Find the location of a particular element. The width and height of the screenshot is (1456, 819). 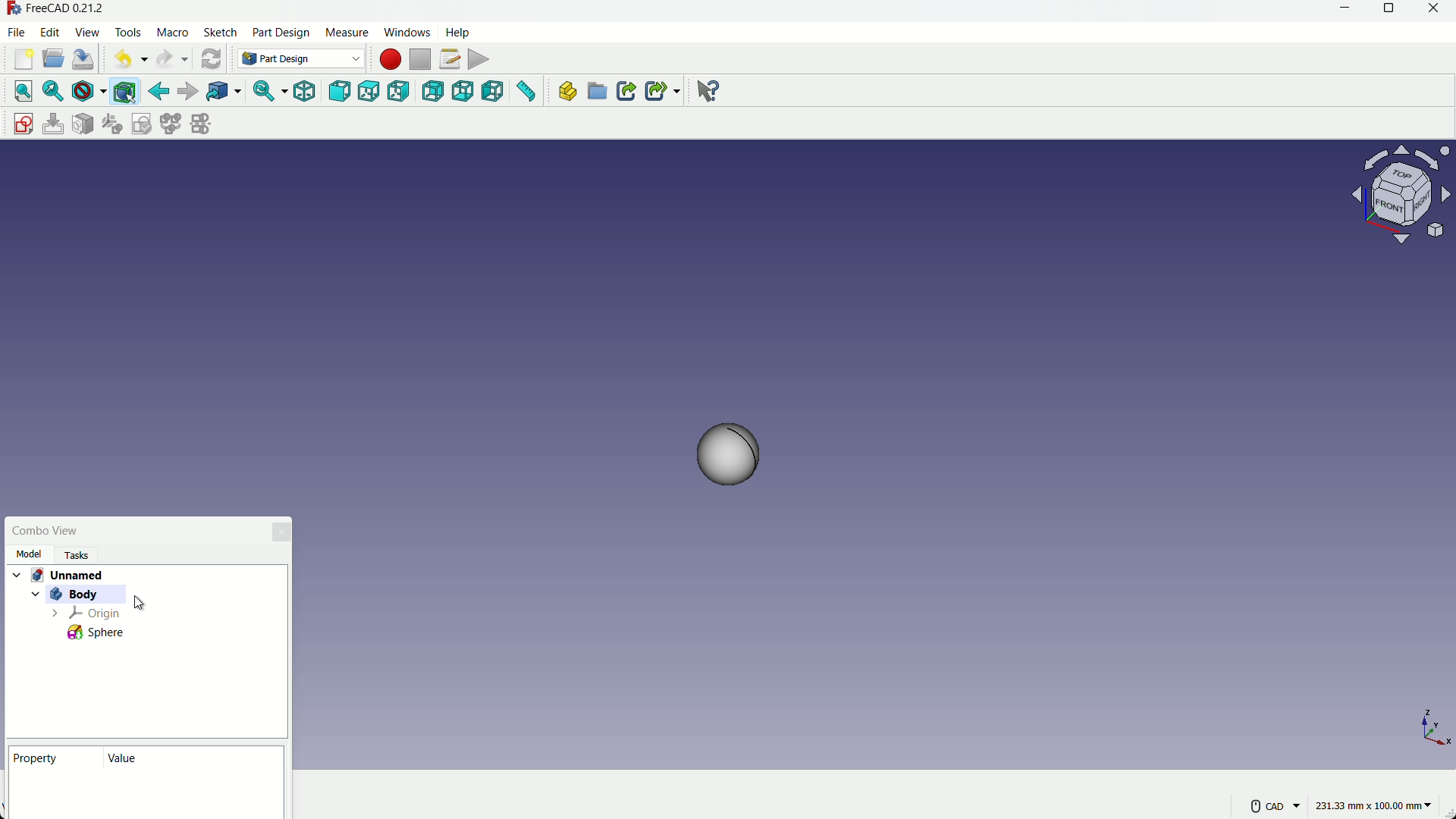

new file is located at coordinates (24, 60).